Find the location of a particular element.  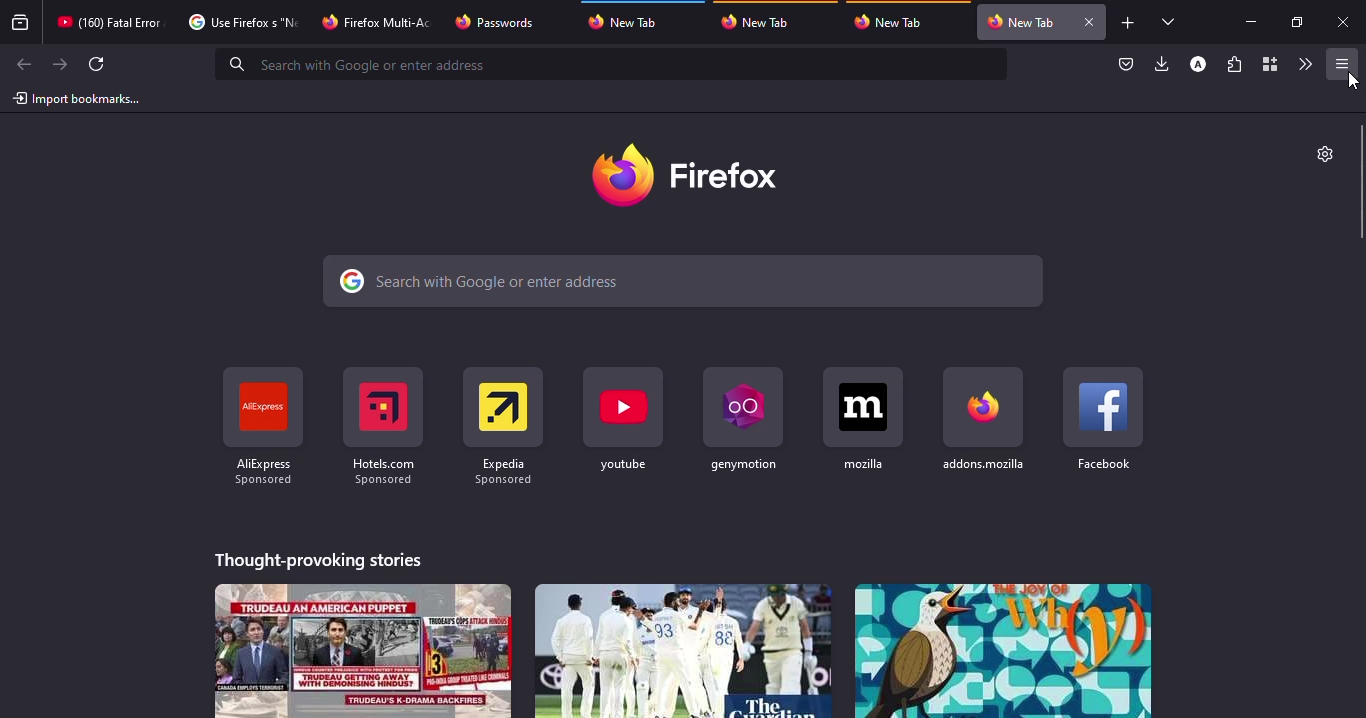

shortcut is located at coordinates (502, 419).